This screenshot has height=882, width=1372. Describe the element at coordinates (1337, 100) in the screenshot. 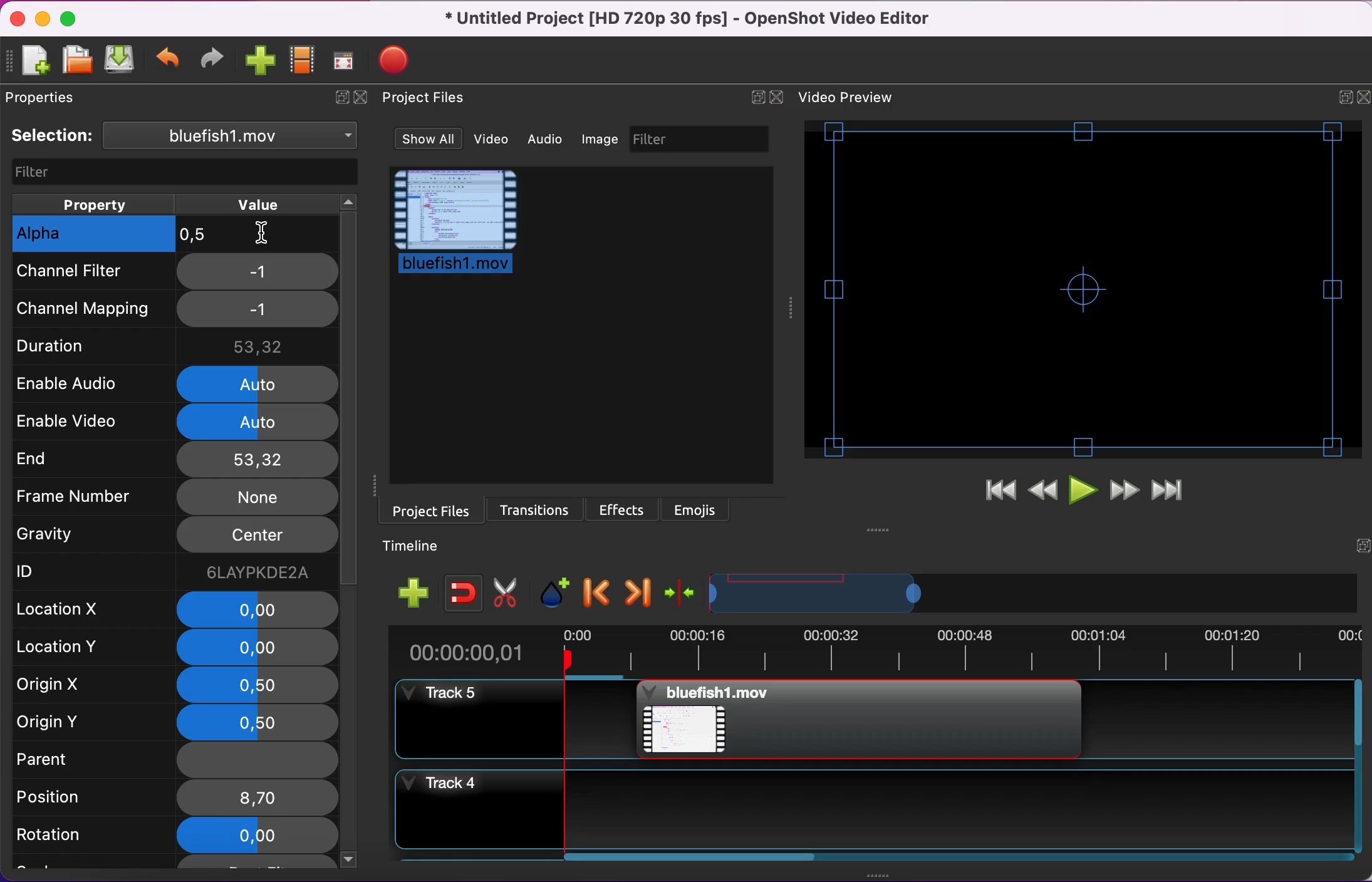

I see `expand/hide` at that location.